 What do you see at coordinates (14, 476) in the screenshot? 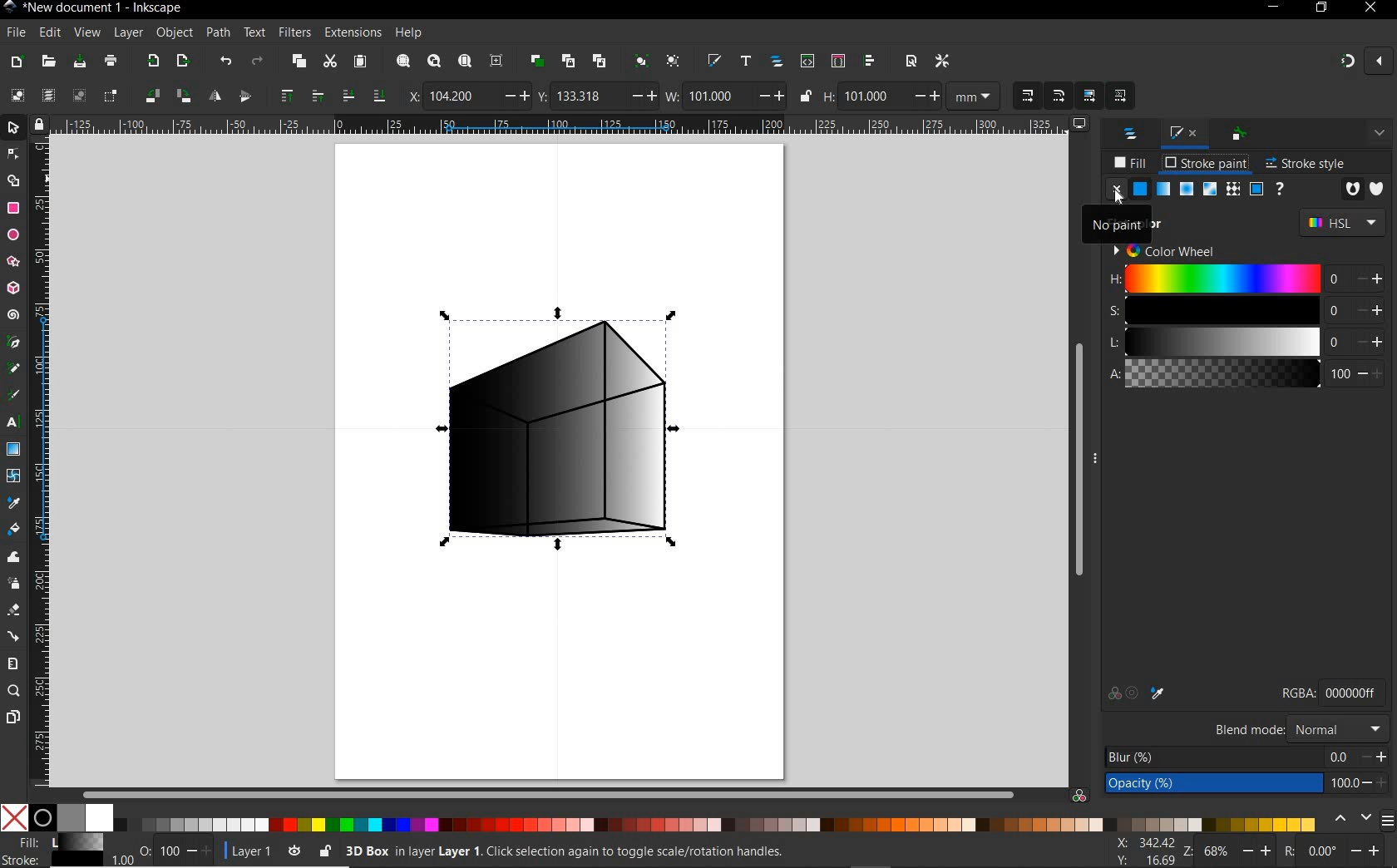
I see `MESH TOOL` at bounding box center [14, 476].